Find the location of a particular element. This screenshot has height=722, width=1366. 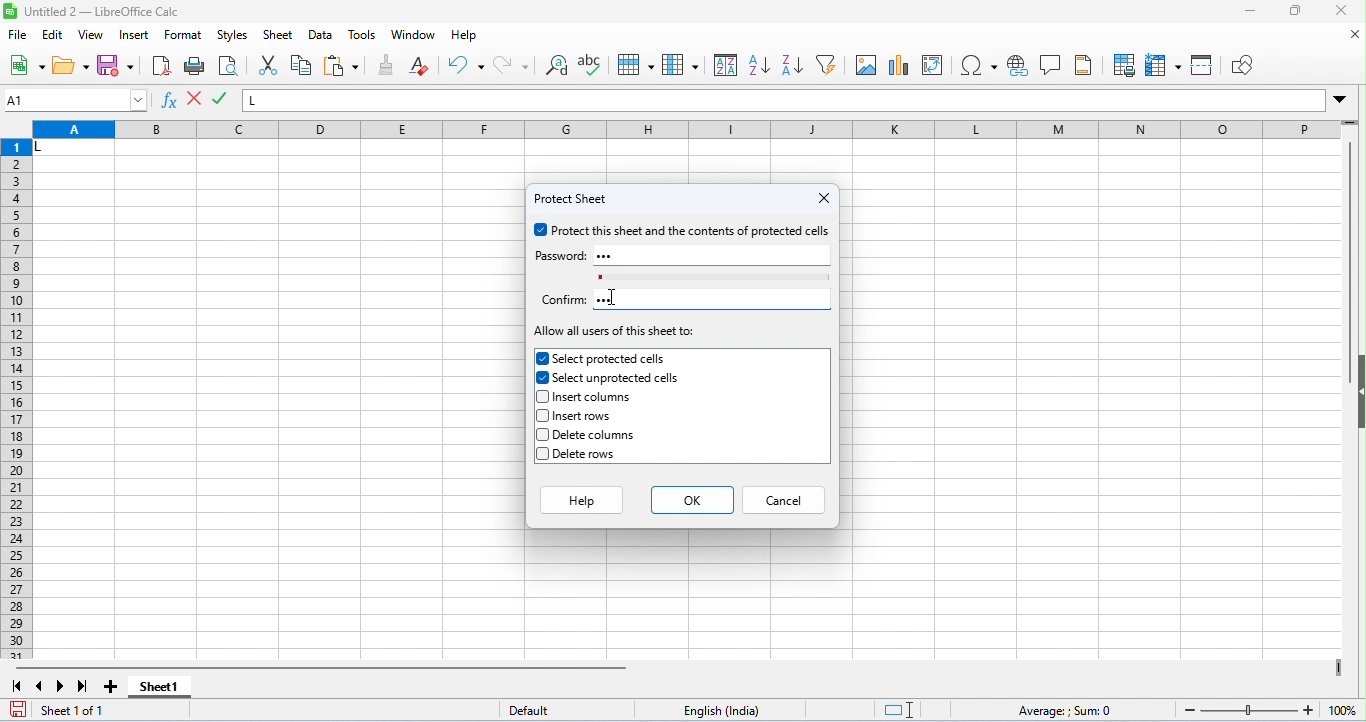

close is located at coordinates (823, 198).